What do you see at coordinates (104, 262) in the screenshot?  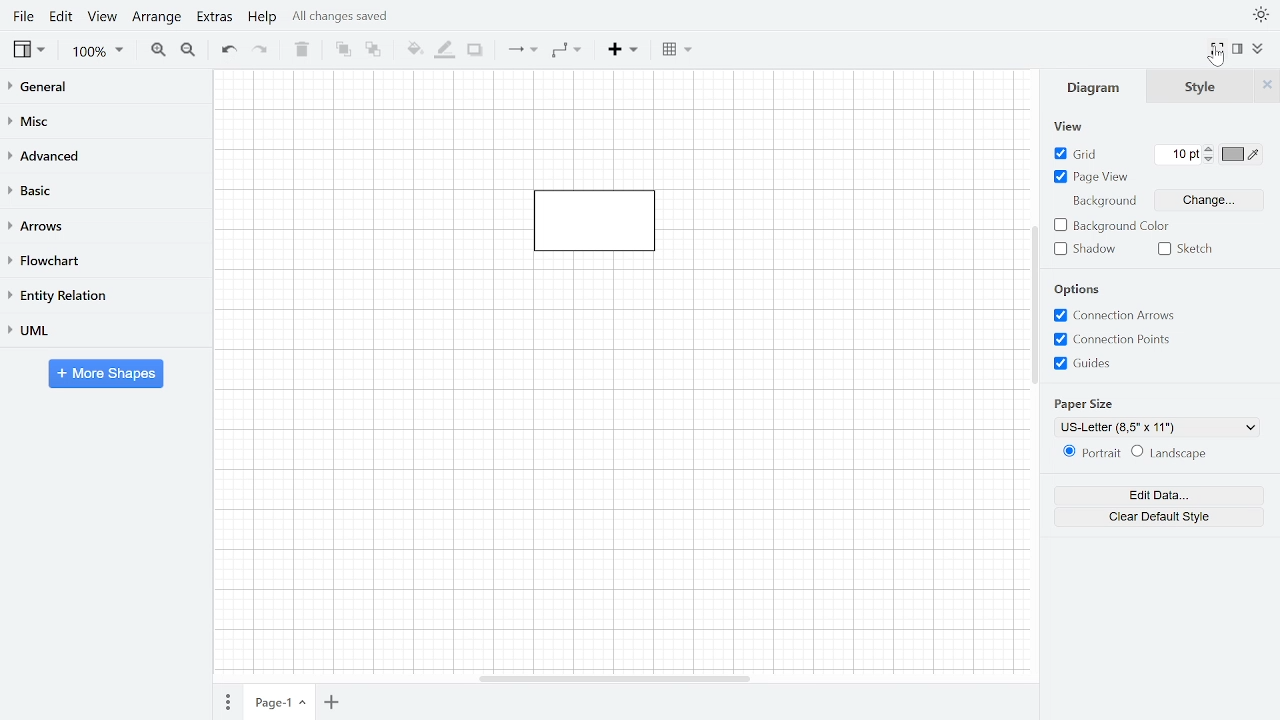 I see `Flowchart` at bounding box center [104, 262].